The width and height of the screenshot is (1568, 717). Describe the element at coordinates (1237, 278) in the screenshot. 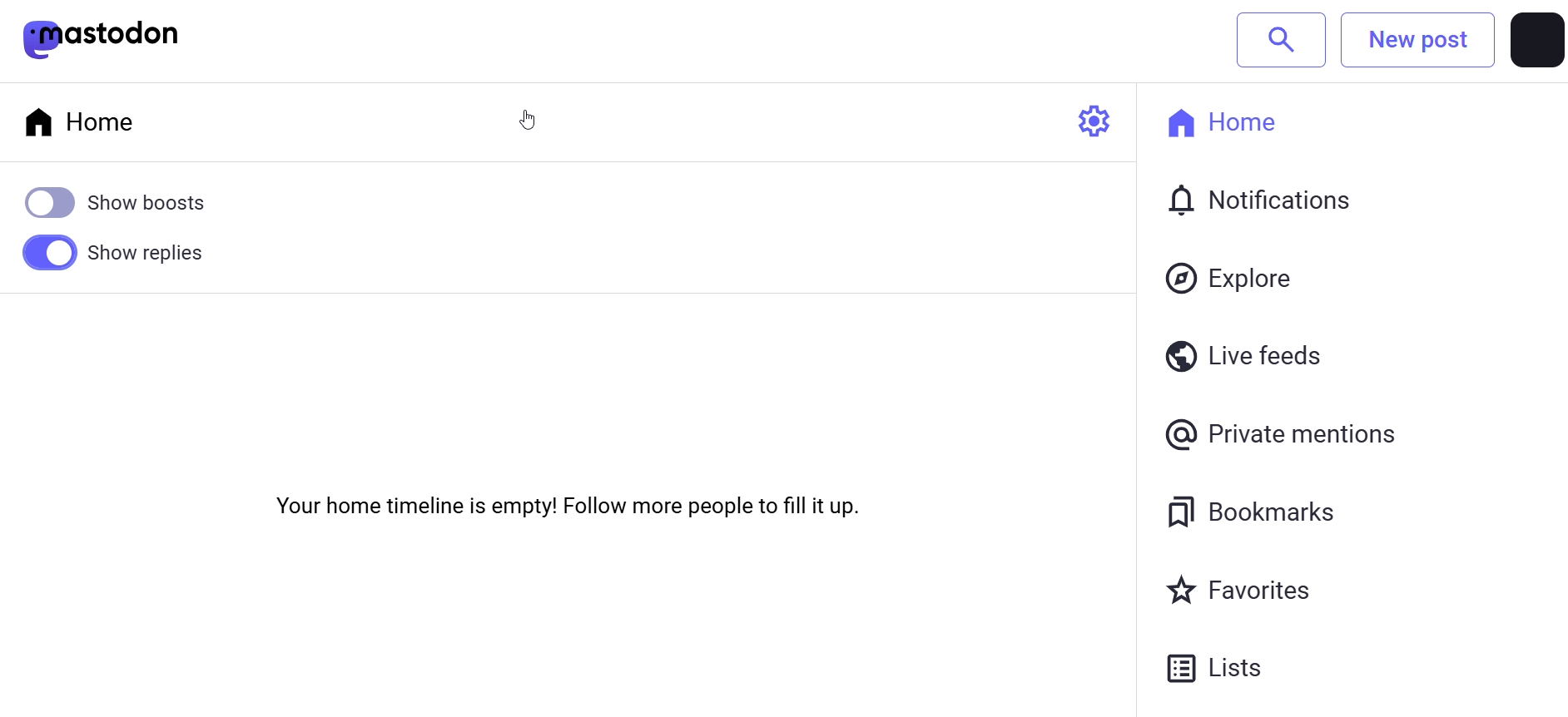

I see `explore` at that location.